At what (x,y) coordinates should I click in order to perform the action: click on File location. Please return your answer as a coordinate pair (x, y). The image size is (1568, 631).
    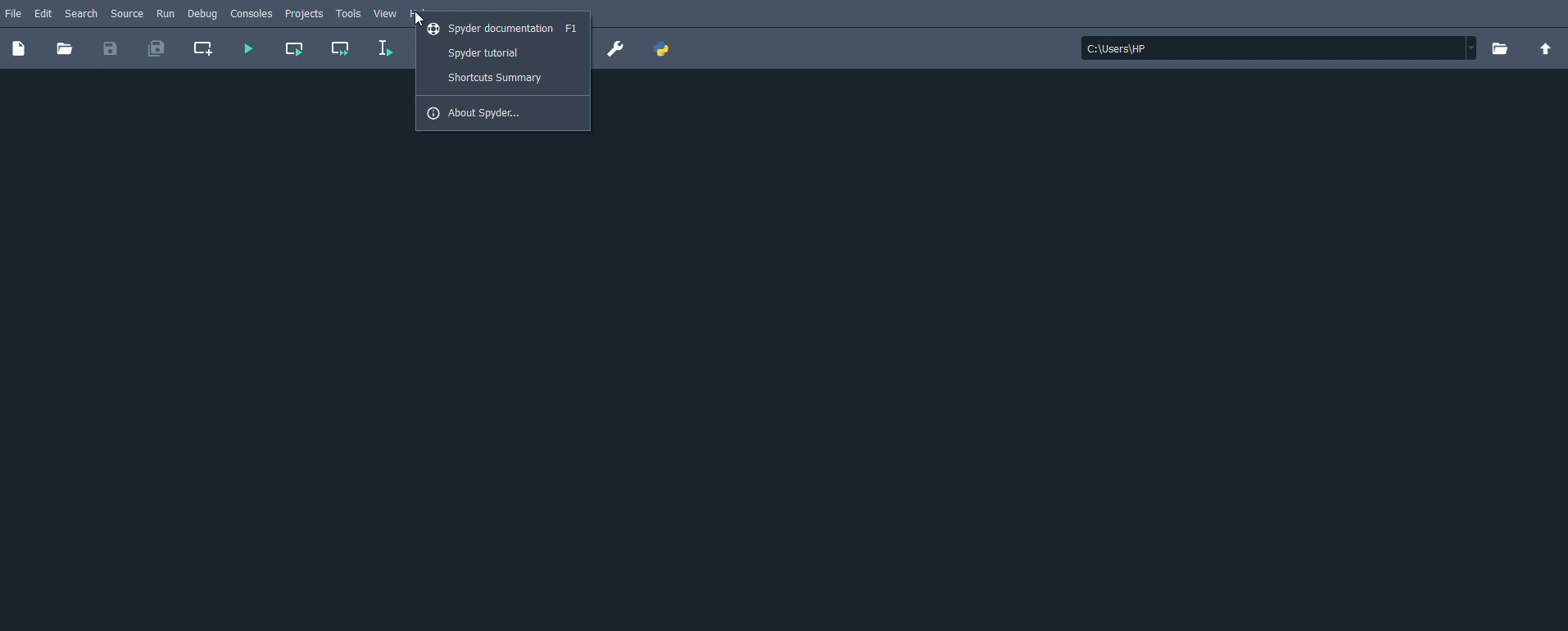
    Looking at the image, I should click on (1280, 48).